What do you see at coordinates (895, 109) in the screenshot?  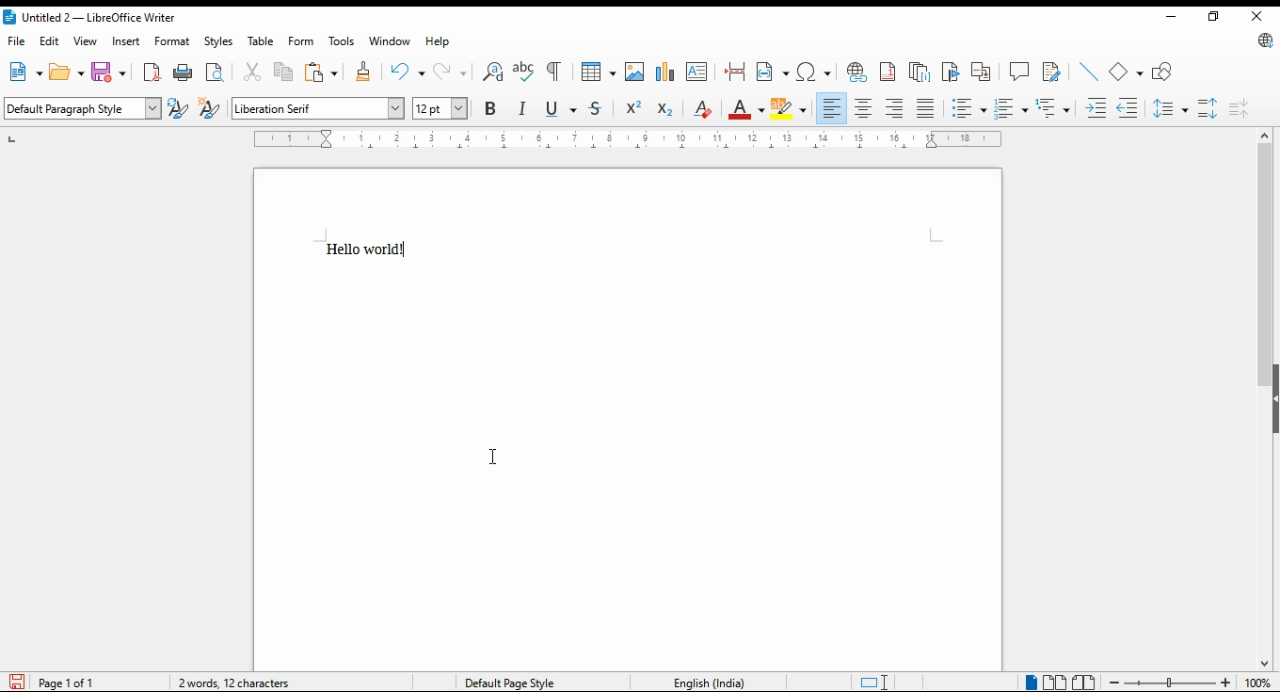 I see `align right` at bounding box center [895, 109].